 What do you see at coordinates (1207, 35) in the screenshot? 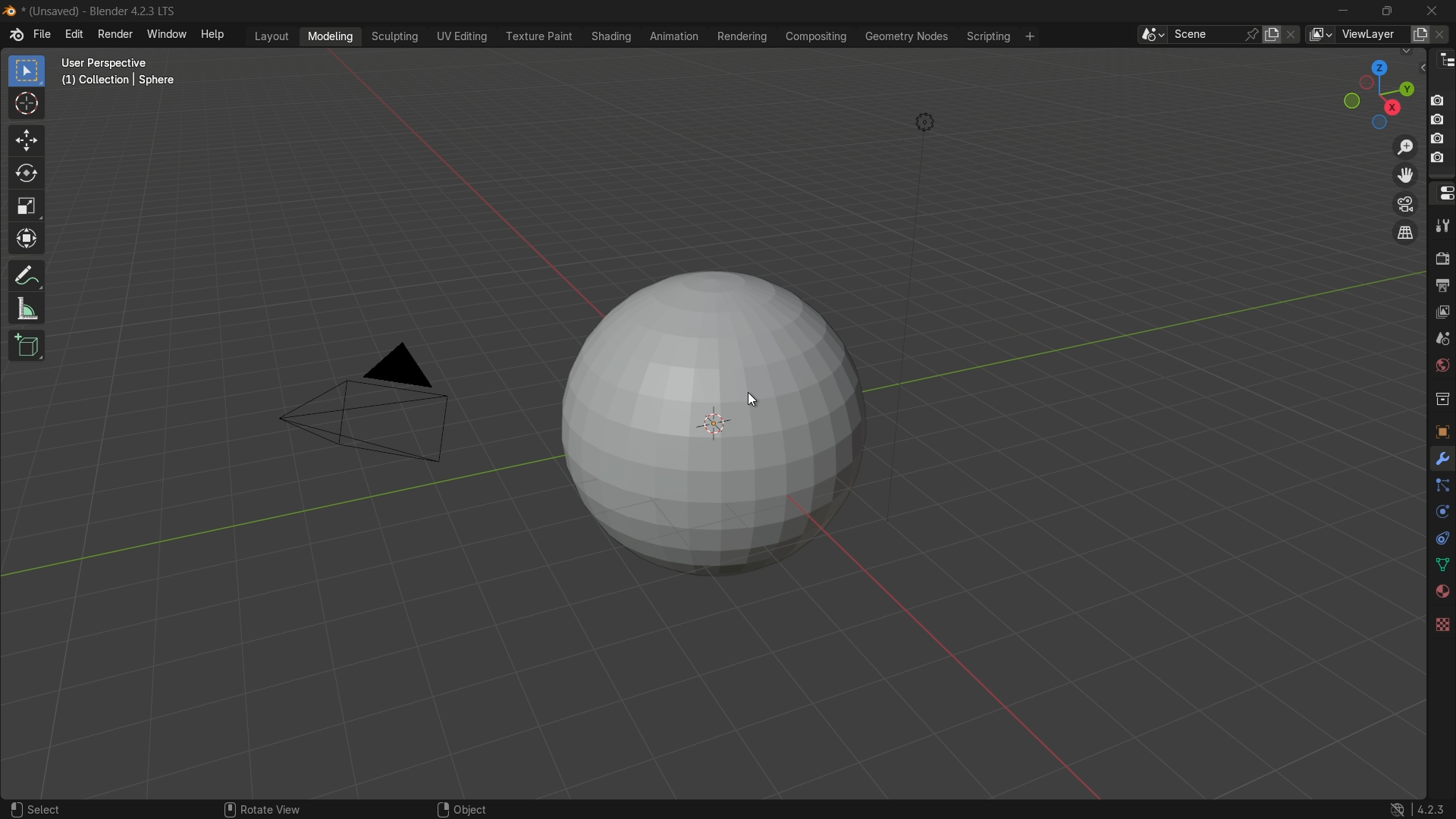
I see `scene name` at bounding box center [1207, 35].